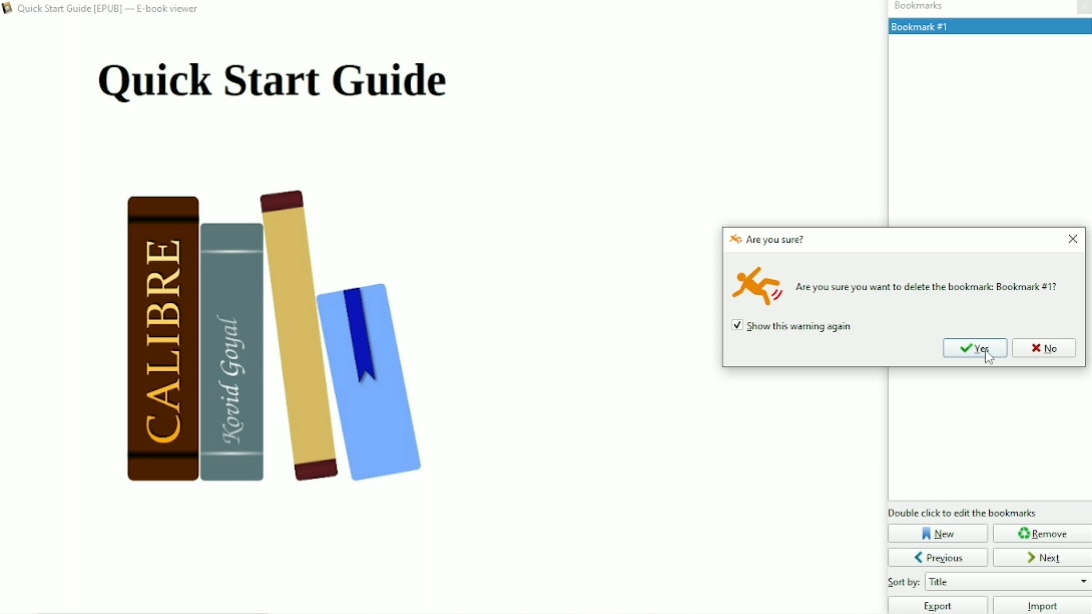 The width and height of the screenshot is (1092, 614). I want to click on Sort by, so click(1008, 582).